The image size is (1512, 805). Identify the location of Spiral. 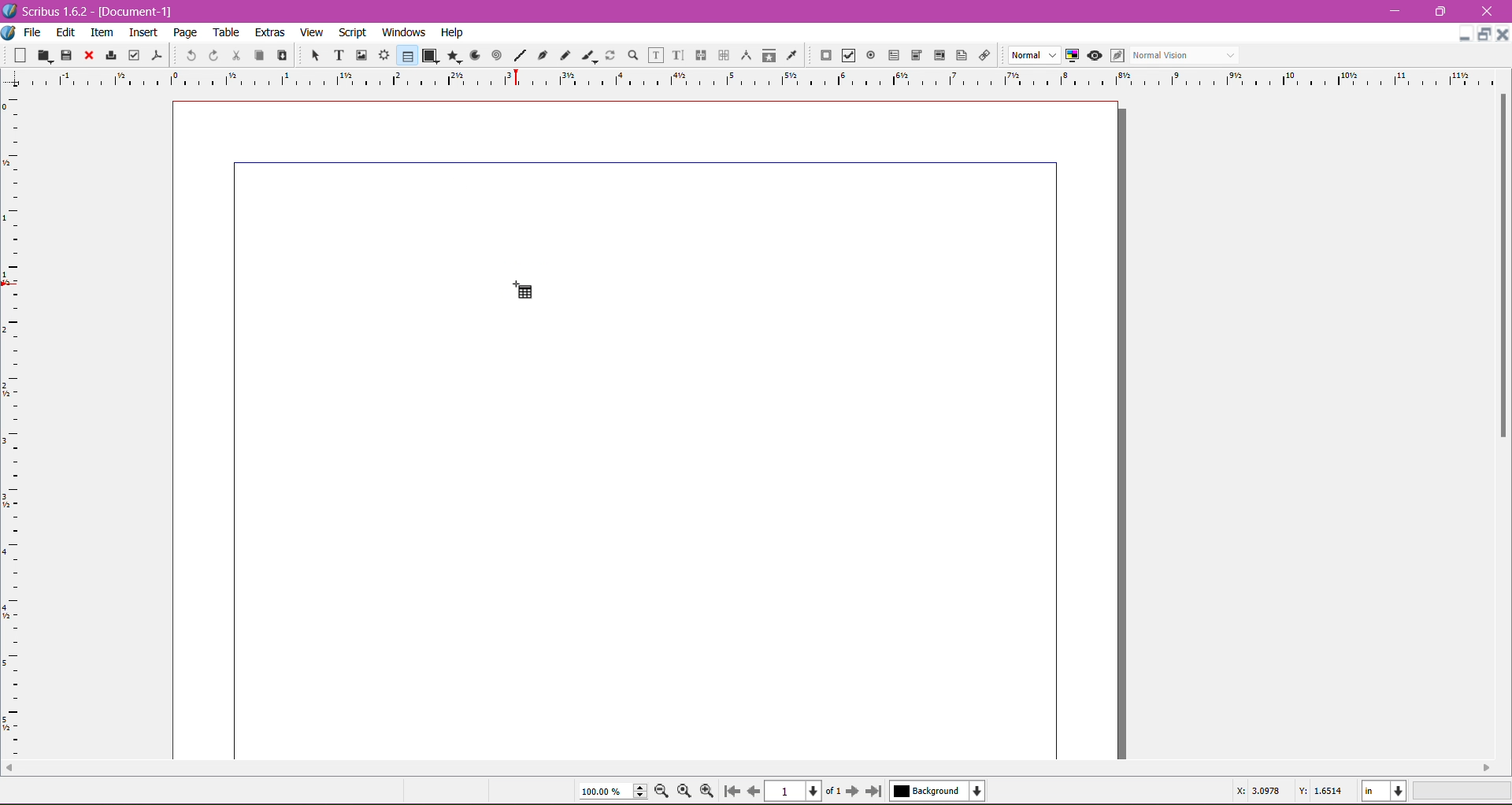
(495, 54).